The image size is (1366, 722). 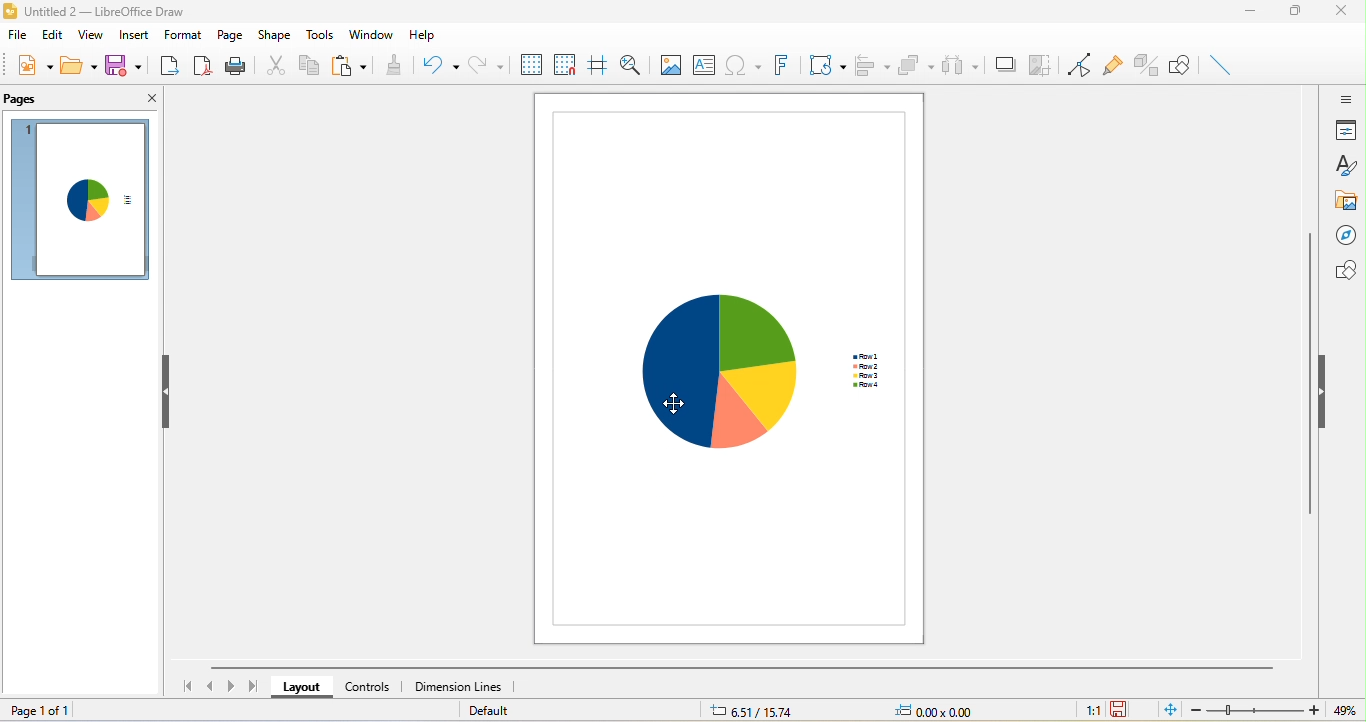 What do you see at coordinates (62, 100) in the screenshot?
I see `pages` at bounding box center [62, 100].